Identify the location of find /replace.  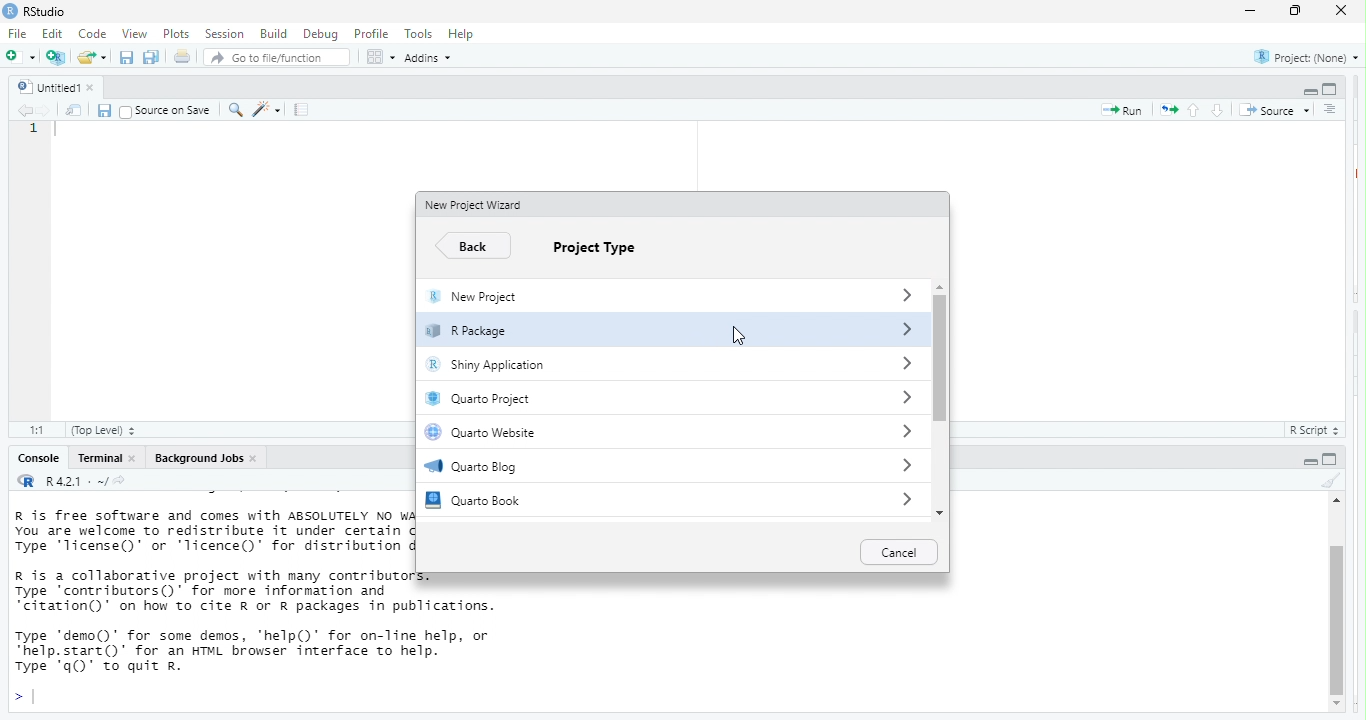
(235, 110).